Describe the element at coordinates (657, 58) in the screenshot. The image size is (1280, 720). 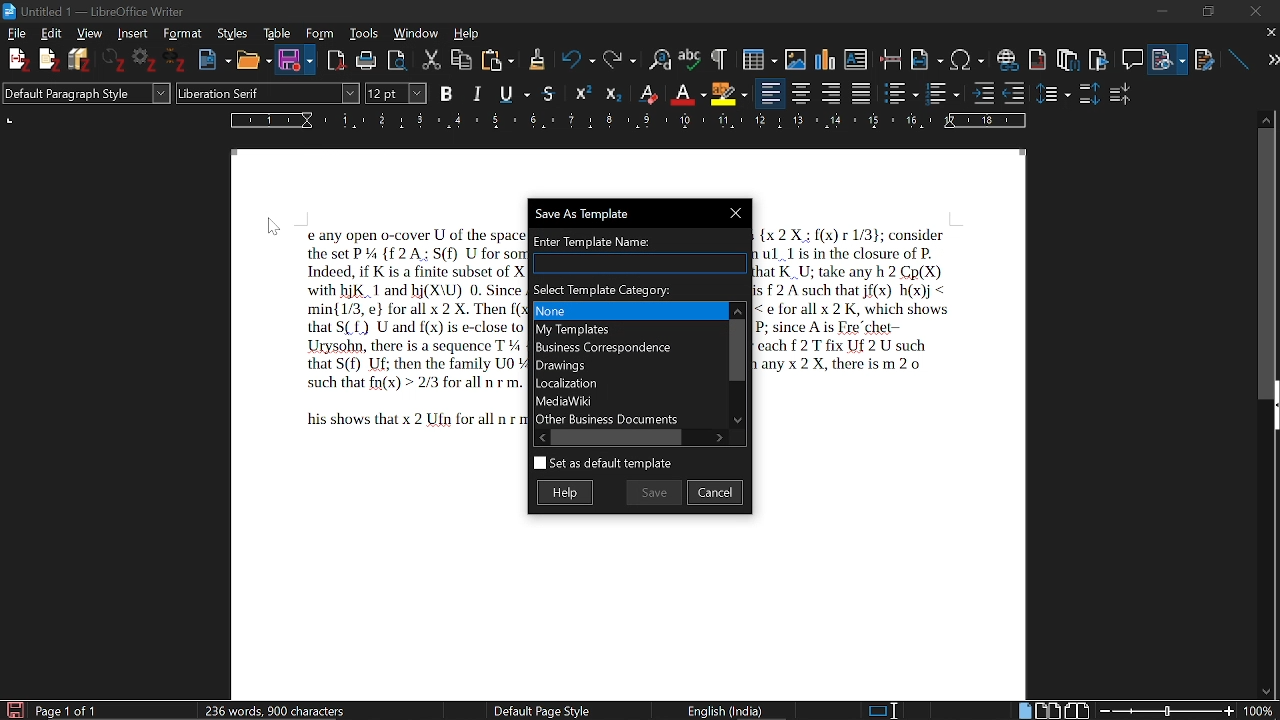
I see `Find and replace ` at that location.